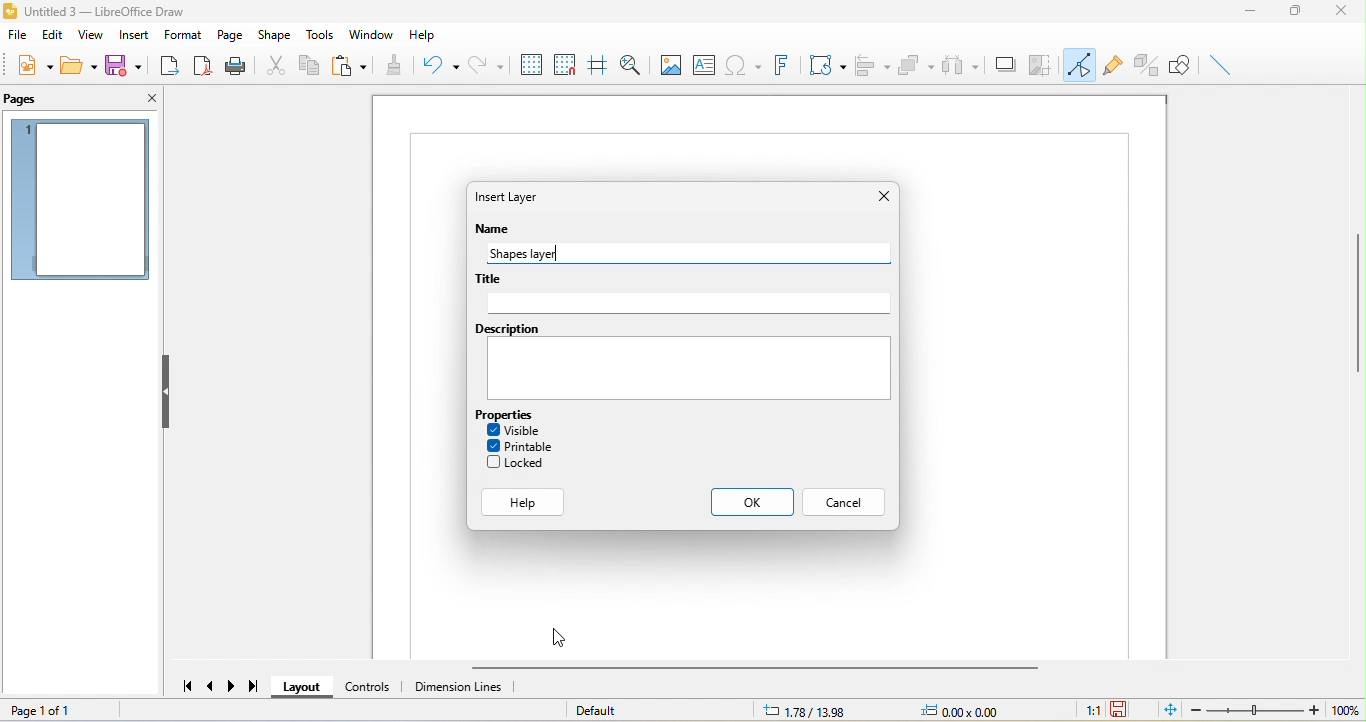 The width and height of the screenshot is (1366, 722). I want to click on toggle extrusion, so click(1146, 65).